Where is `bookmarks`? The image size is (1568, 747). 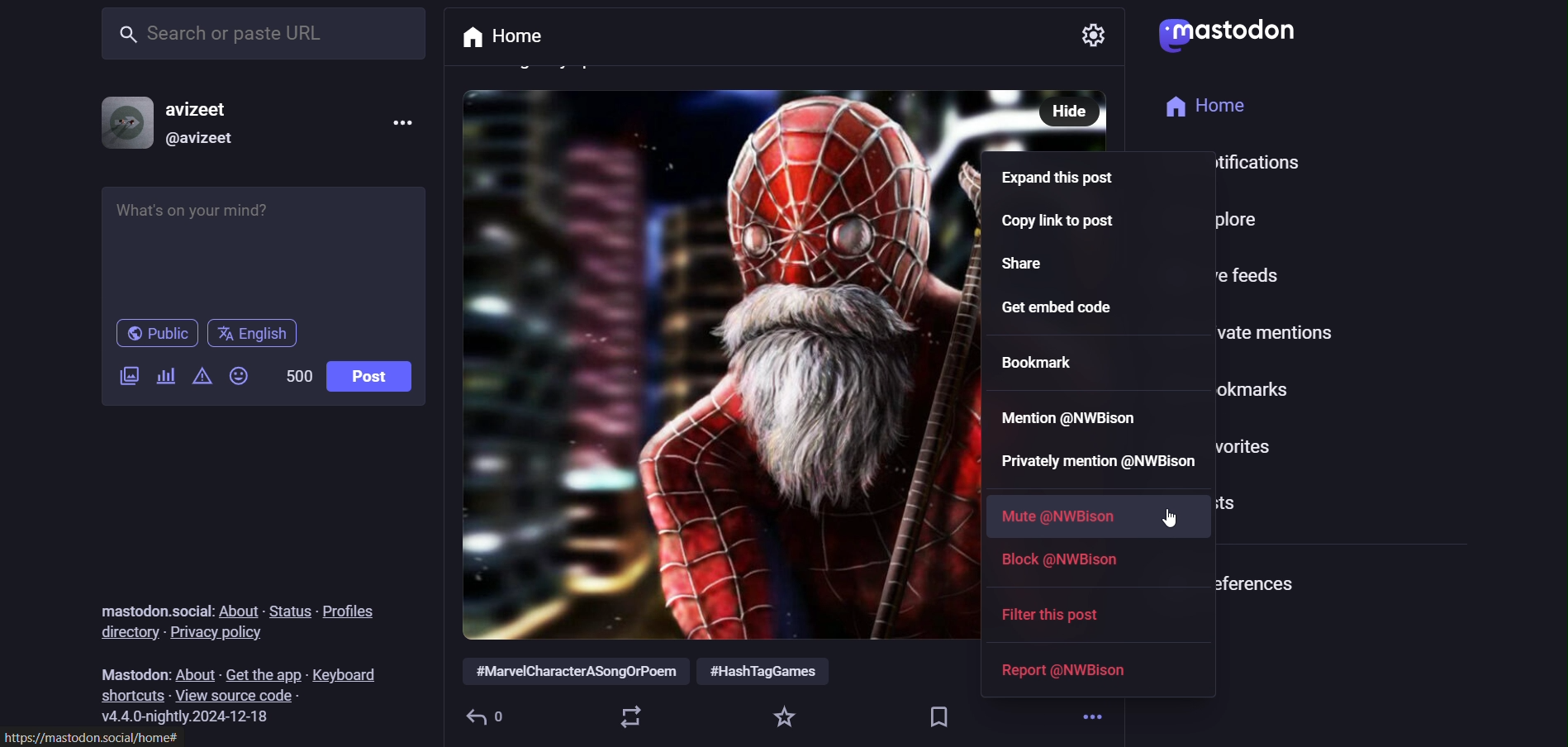 bookmarks is located at coordinates (942, 712).